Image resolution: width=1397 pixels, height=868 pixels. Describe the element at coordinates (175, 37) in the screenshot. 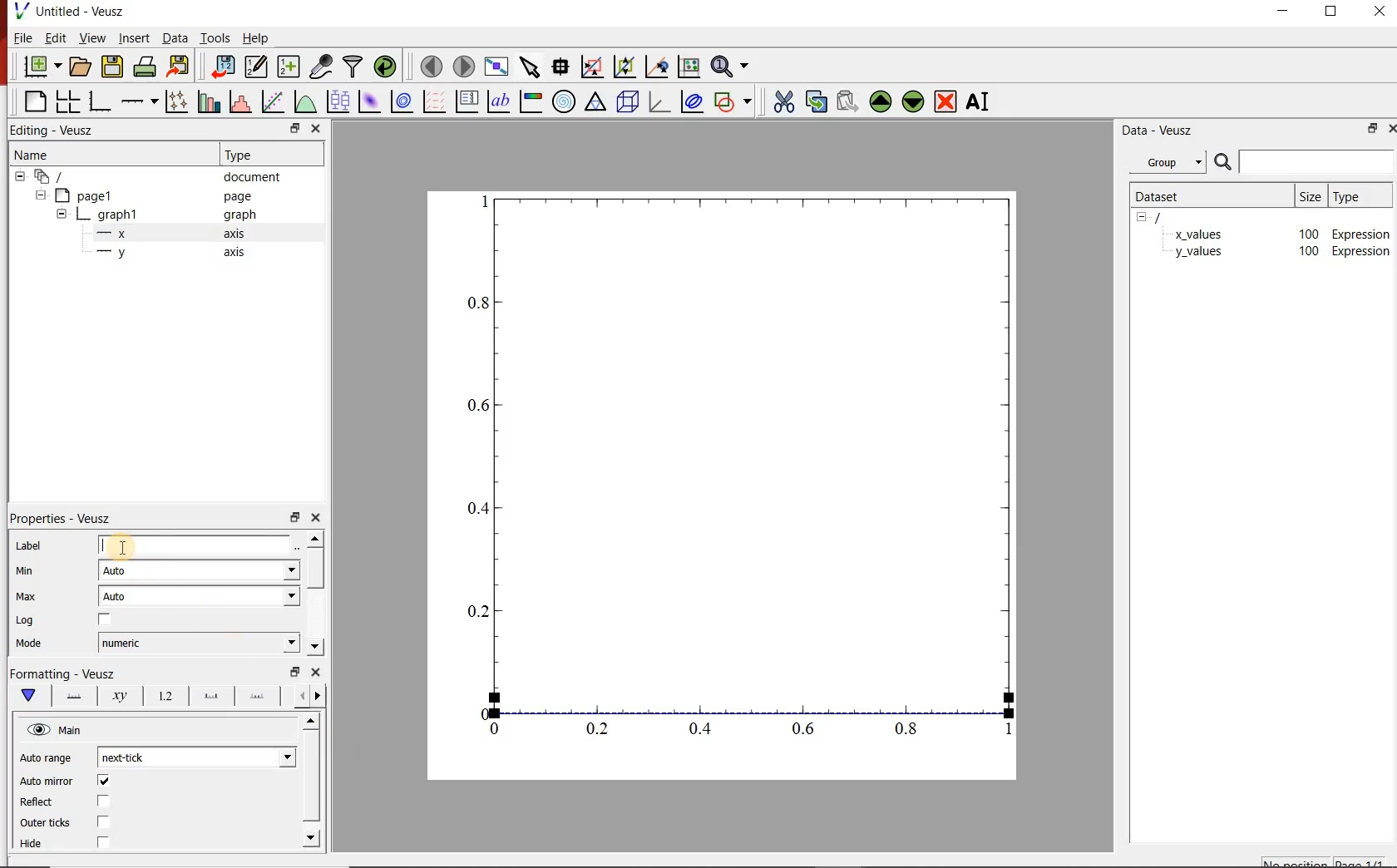

I see `data` at that location.